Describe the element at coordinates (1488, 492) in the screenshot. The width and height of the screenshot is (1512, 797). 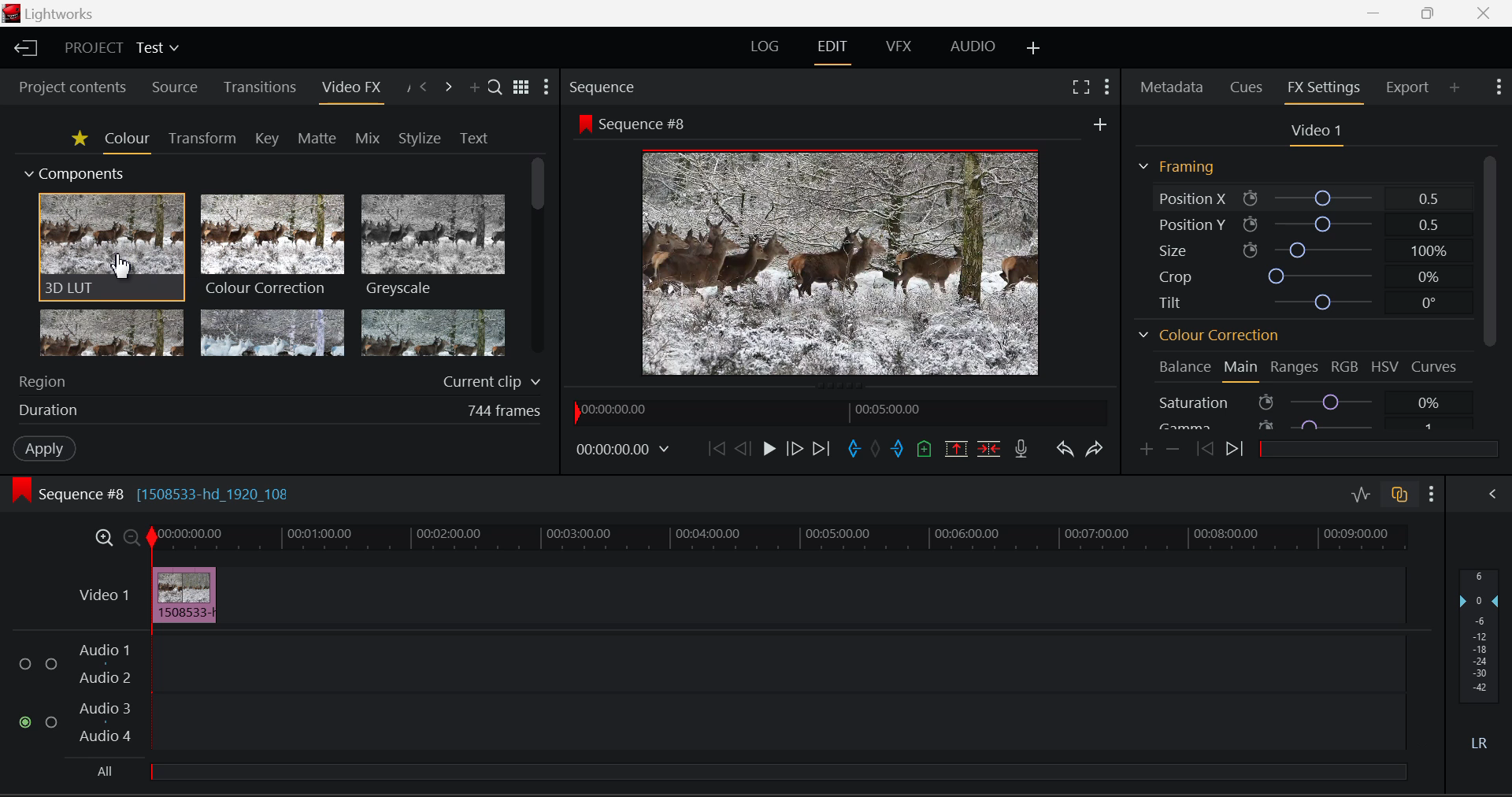
I see `Show Audio Mix` at that location.